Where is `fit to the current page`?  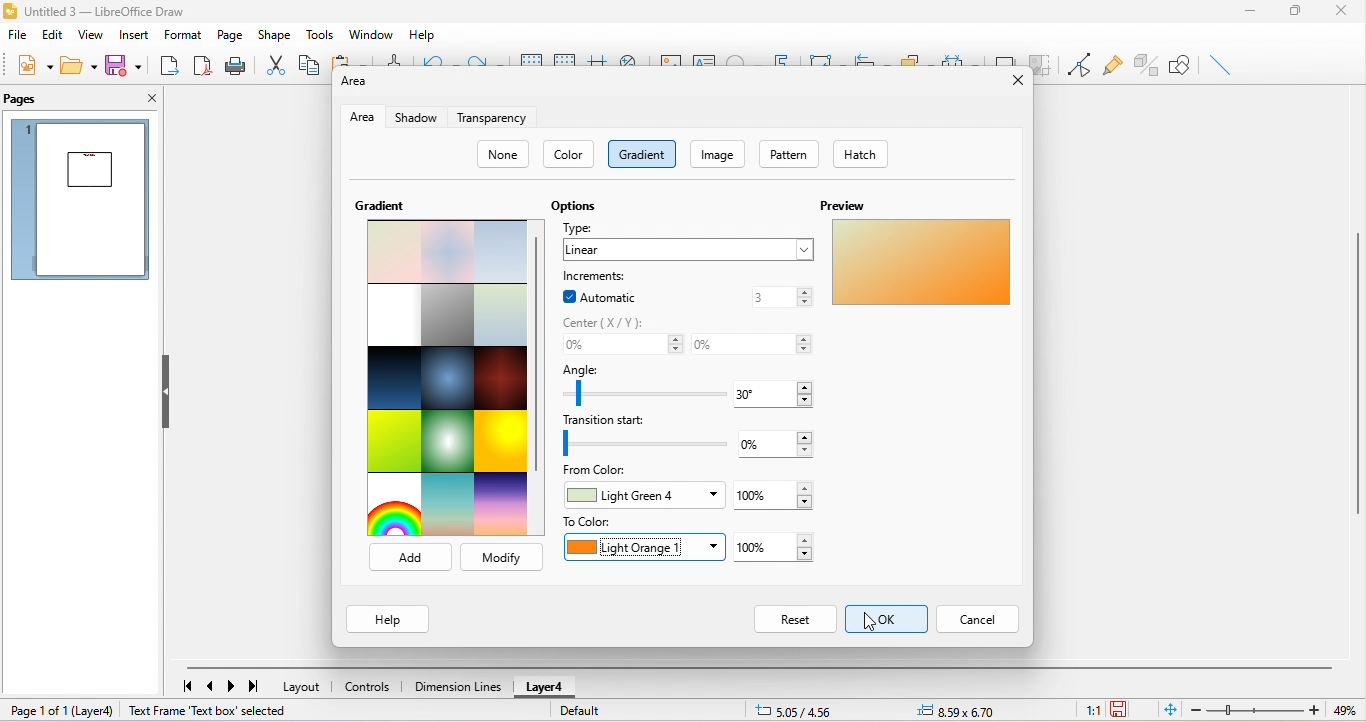
fit to the current page is located at coordinates (1171, 711).